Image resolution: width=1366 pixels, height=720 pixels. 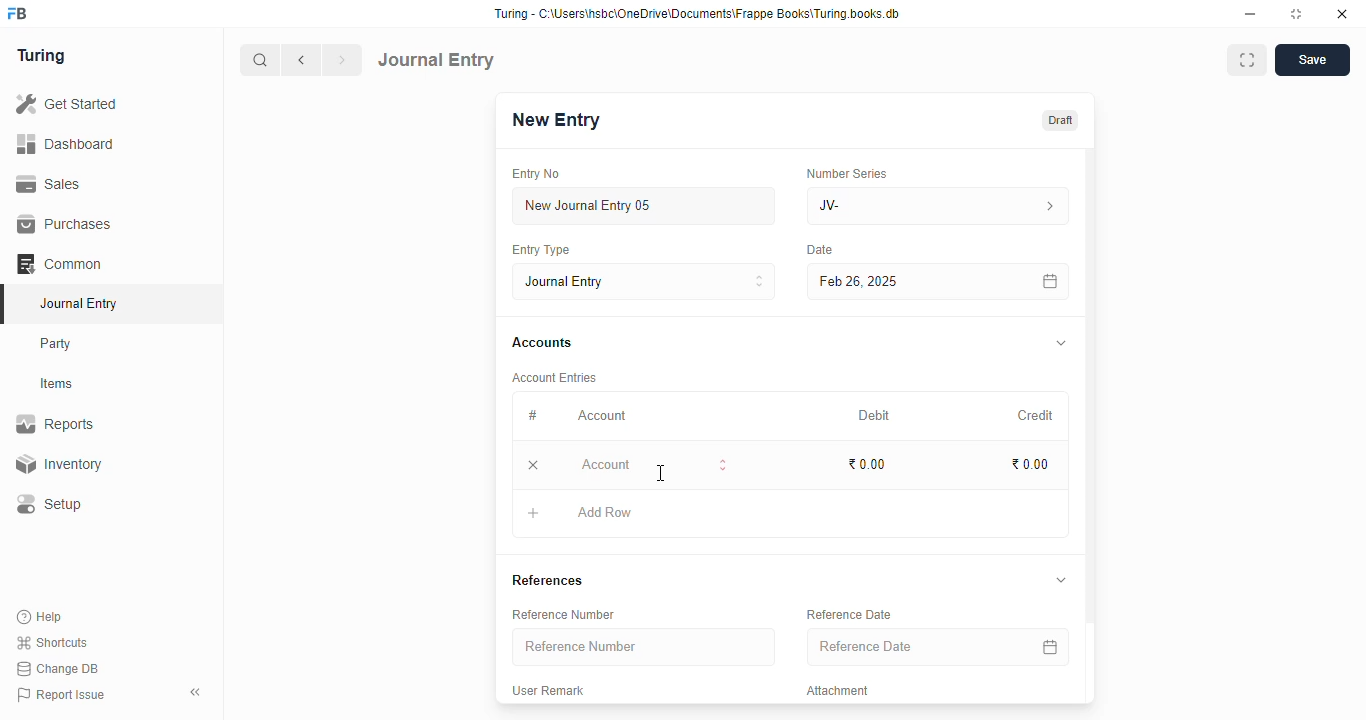 What do you see at coordinates (848, 615) in the screenshot?
I see `reference date` at bounding box center [848, 615].